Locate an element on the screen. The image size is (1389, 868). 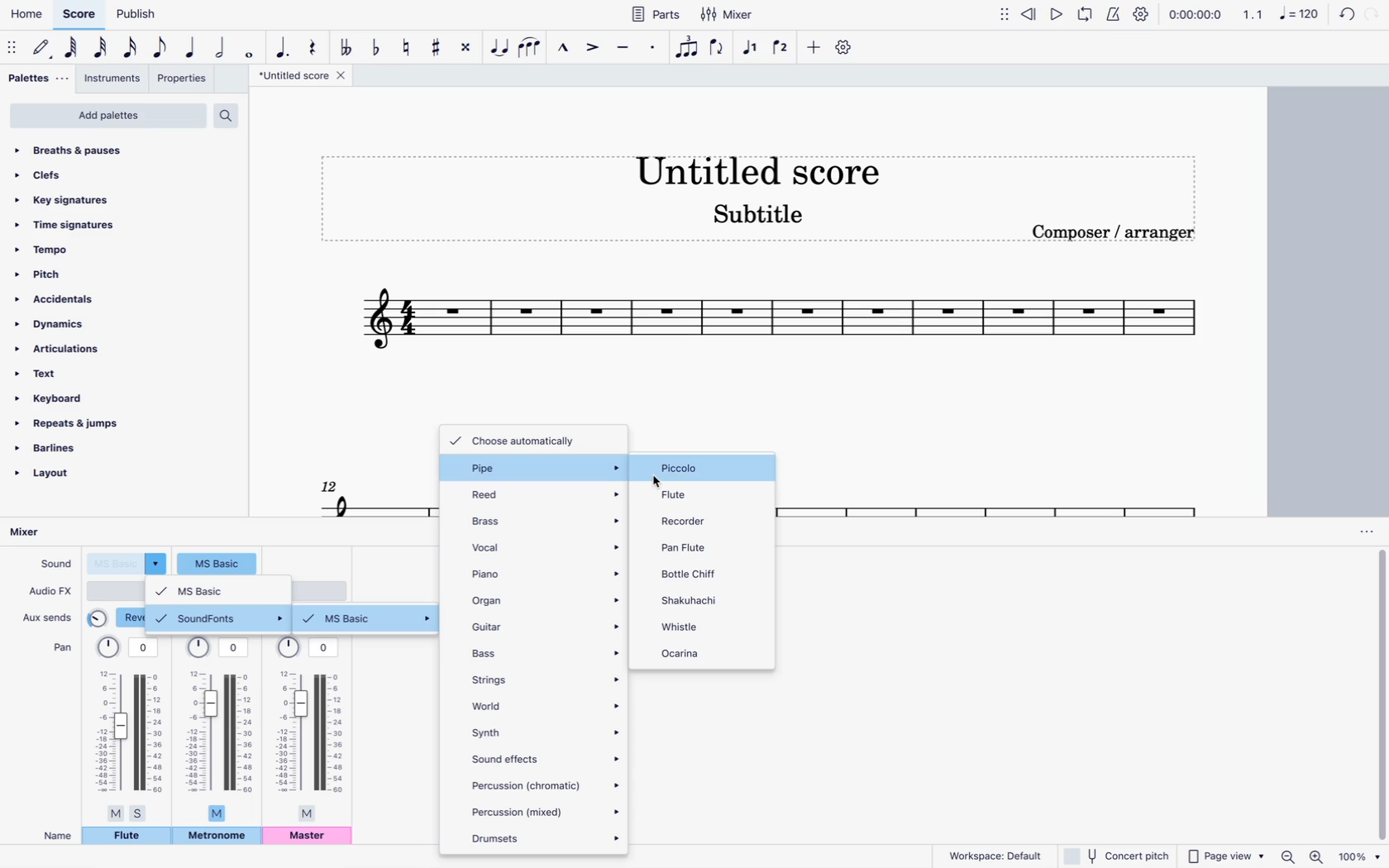
full note is located at coordinates (250, 48).